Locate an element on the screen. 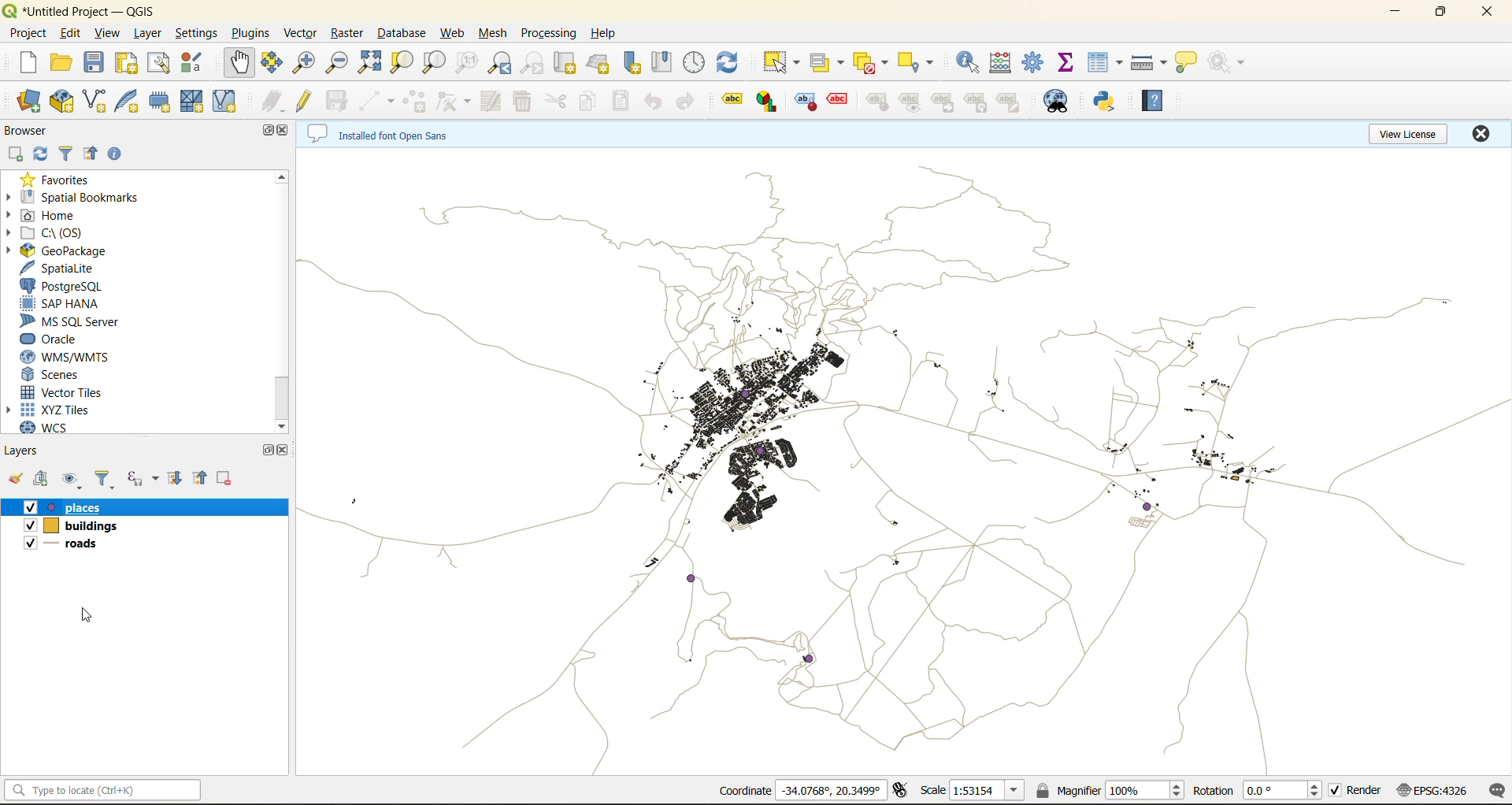  c\:os is located at coordinates (51, 233).